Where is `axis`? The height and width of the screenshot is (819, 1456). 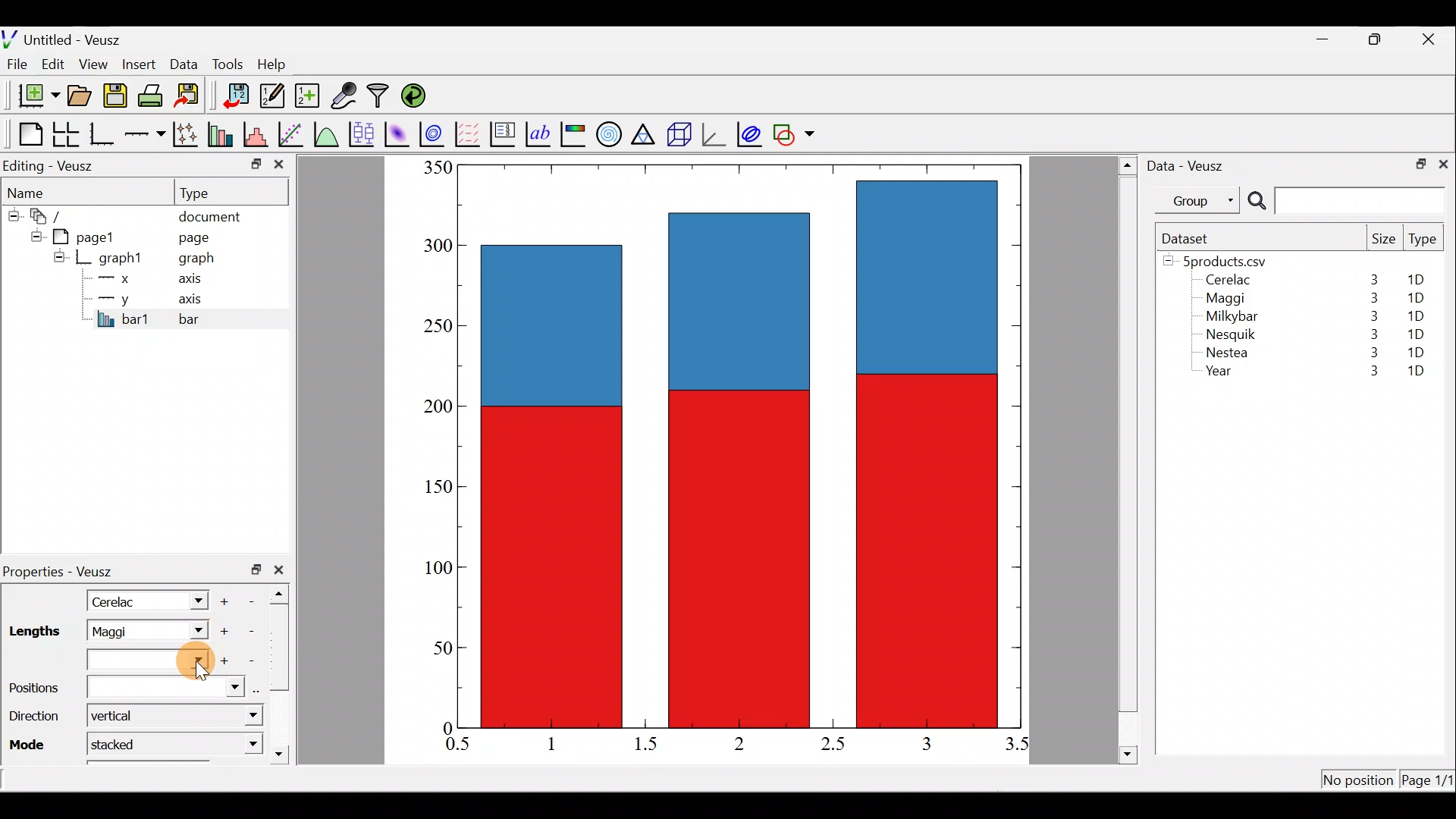 axis is located at coordinates (195, 281).